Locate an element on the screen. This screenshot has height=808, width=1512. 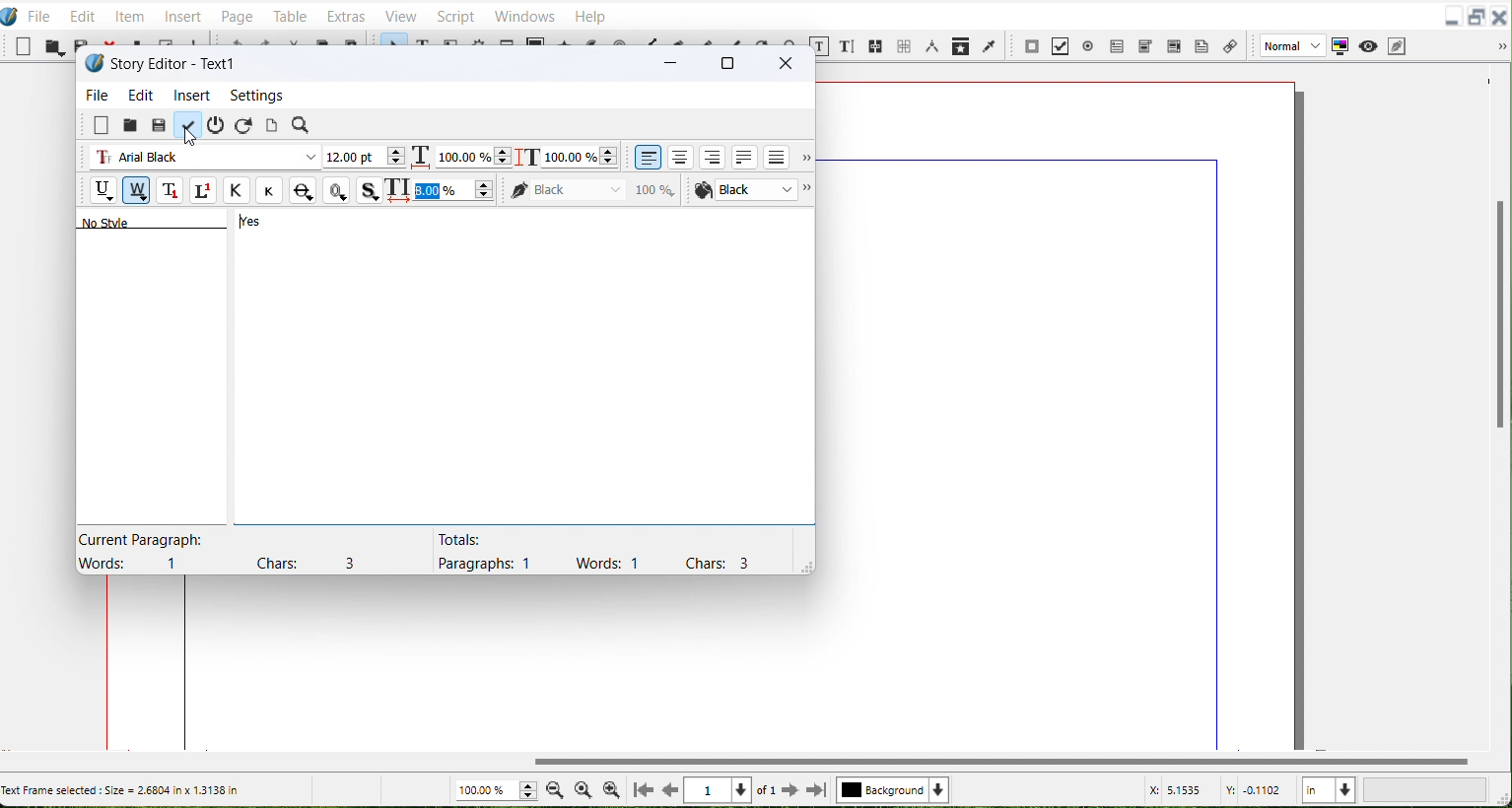
Superscript is located at coordinates (203, 190).